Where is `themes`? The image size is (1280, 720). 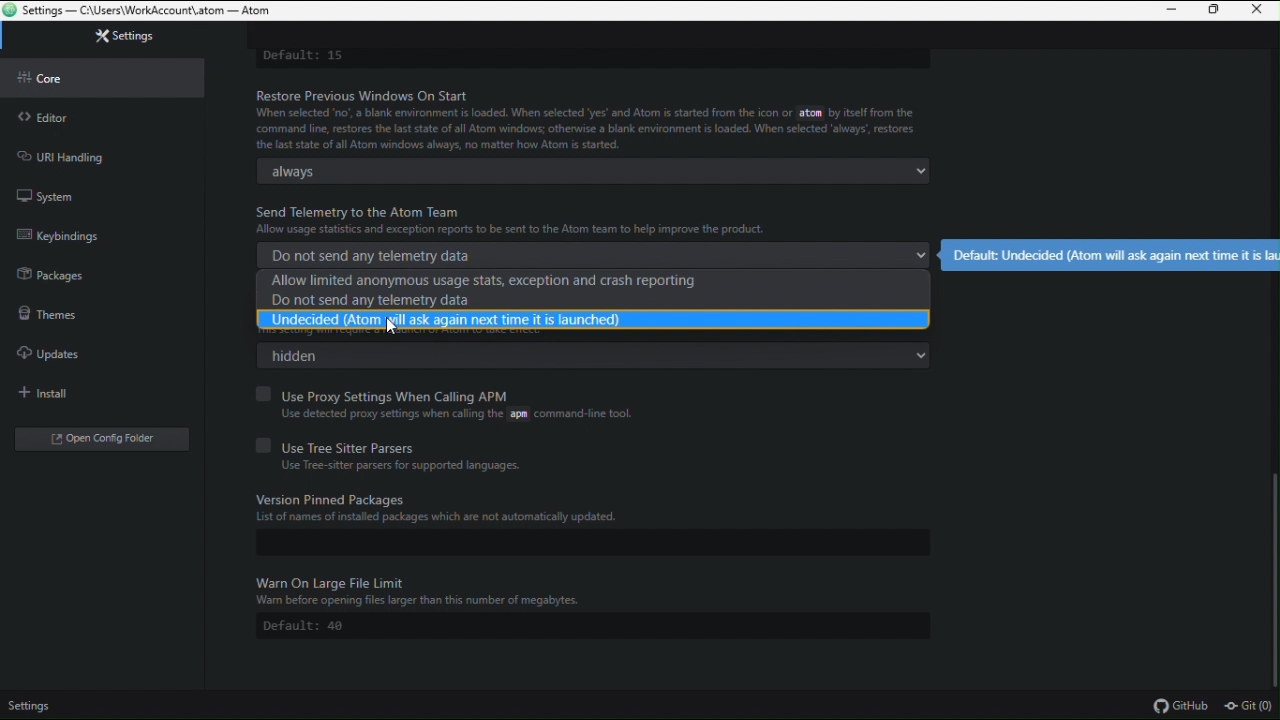
themes is located at coordinates (94, 310).